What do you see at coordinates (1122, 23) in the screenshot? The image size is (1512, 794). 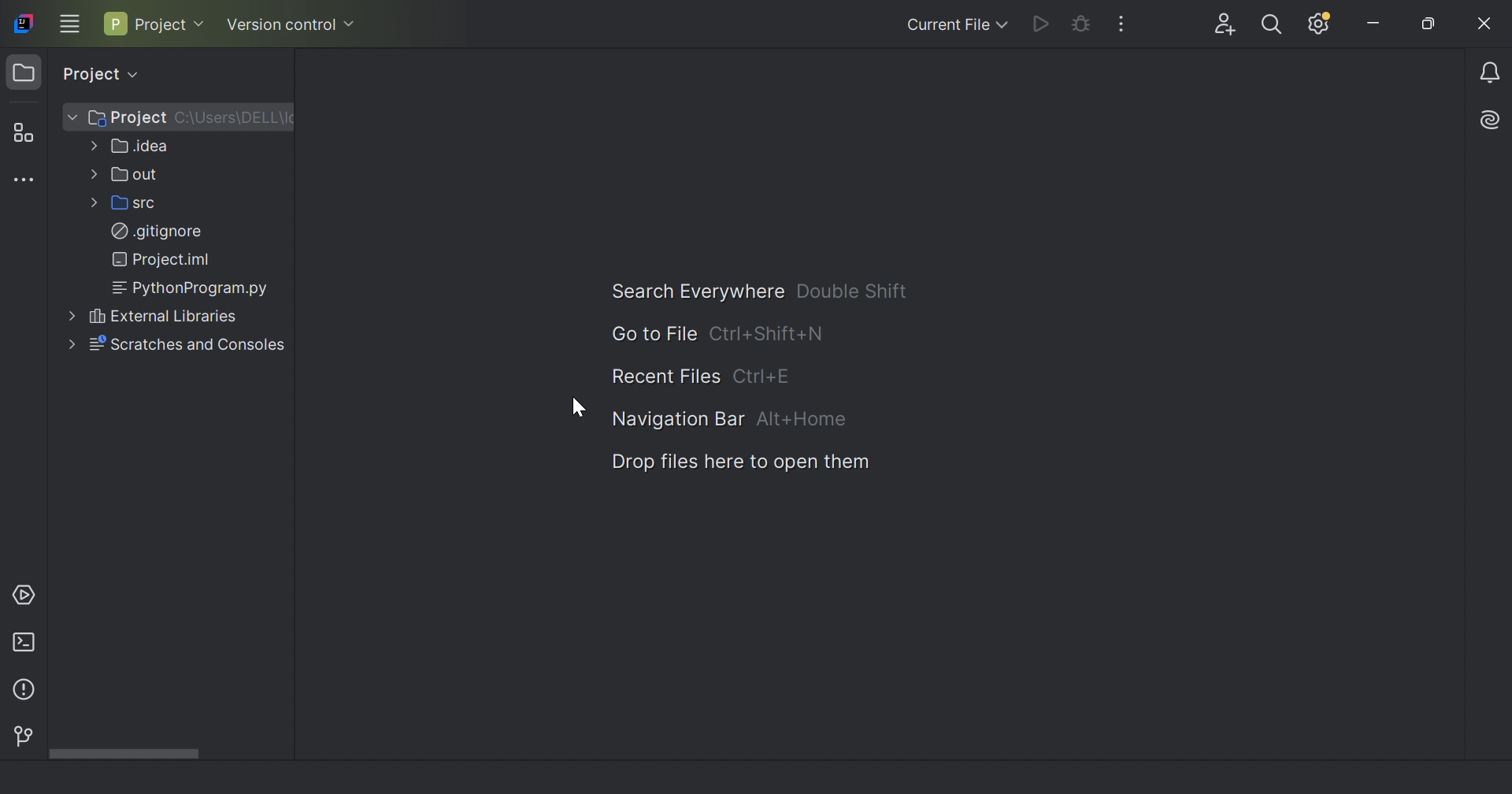 I see `More actions` at bounding box center [1122, 23].